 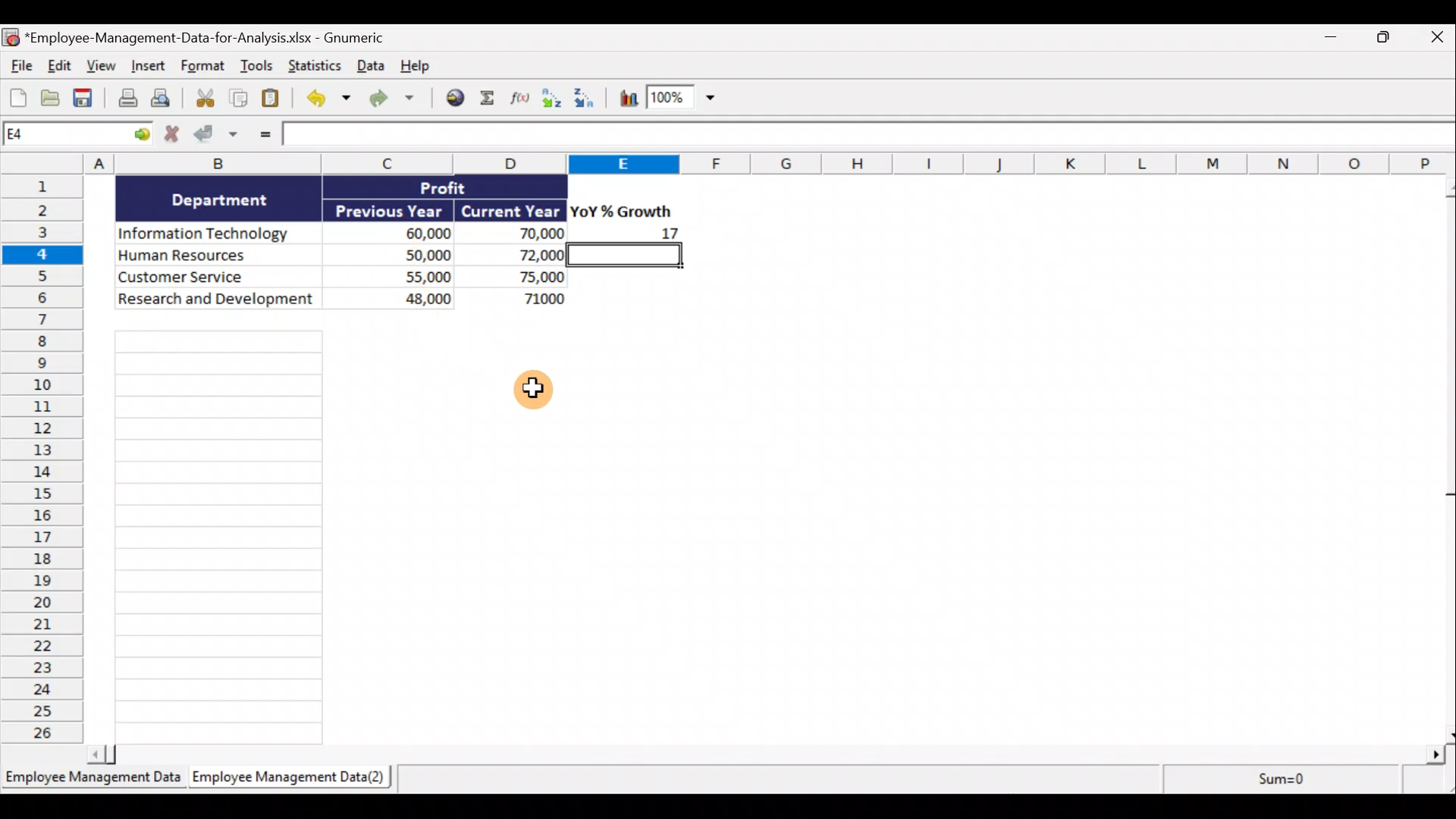 What do you see at coordinates (454, 99) in the screenshot?
I see `Insert hyperlink` at bounding box center [454, 99].